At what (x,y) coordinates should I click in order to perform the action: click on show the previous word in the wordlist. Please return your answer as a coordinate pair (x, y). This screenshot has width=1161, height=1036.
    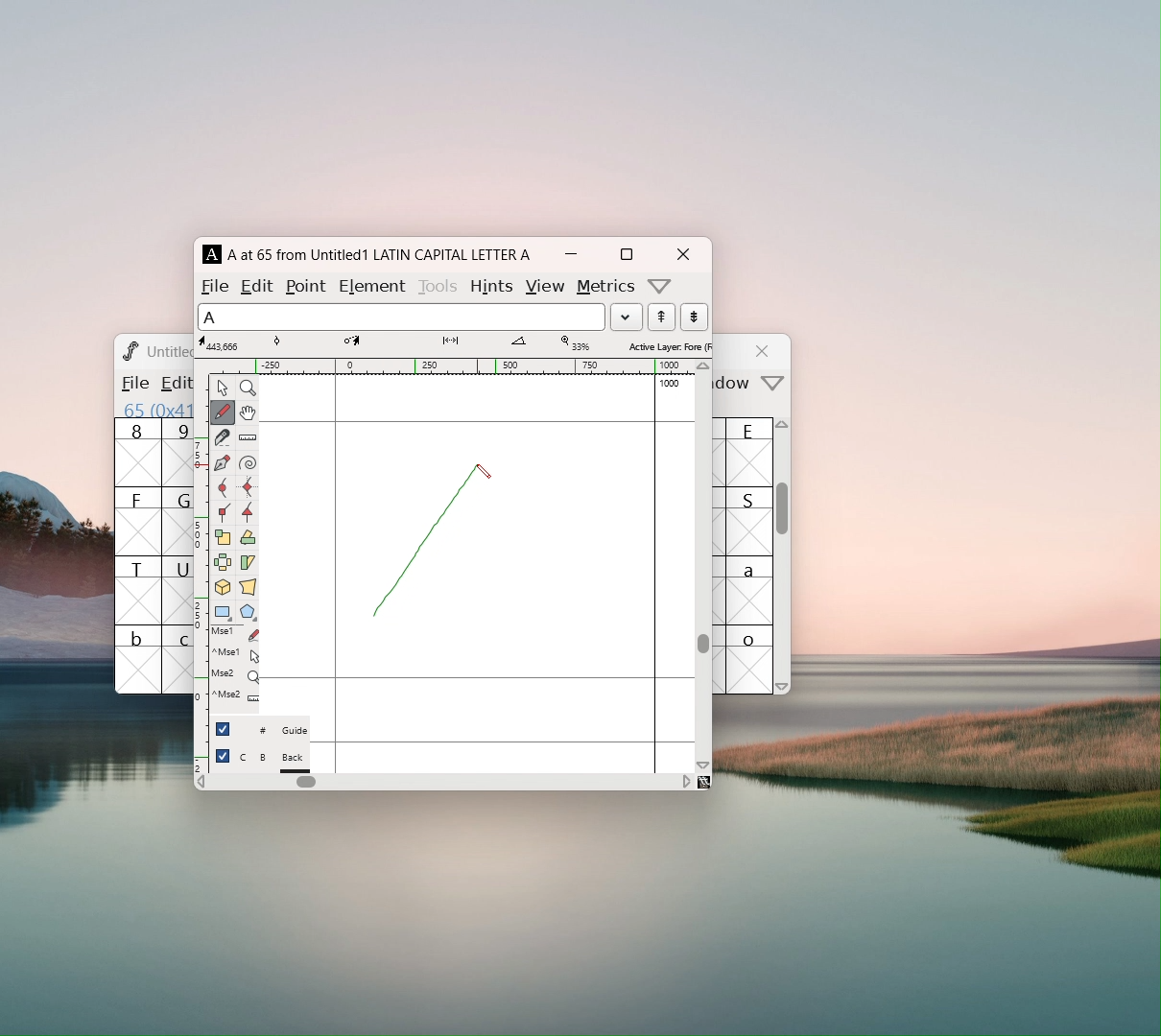
    Looking at the image, I should click on (694, 317).